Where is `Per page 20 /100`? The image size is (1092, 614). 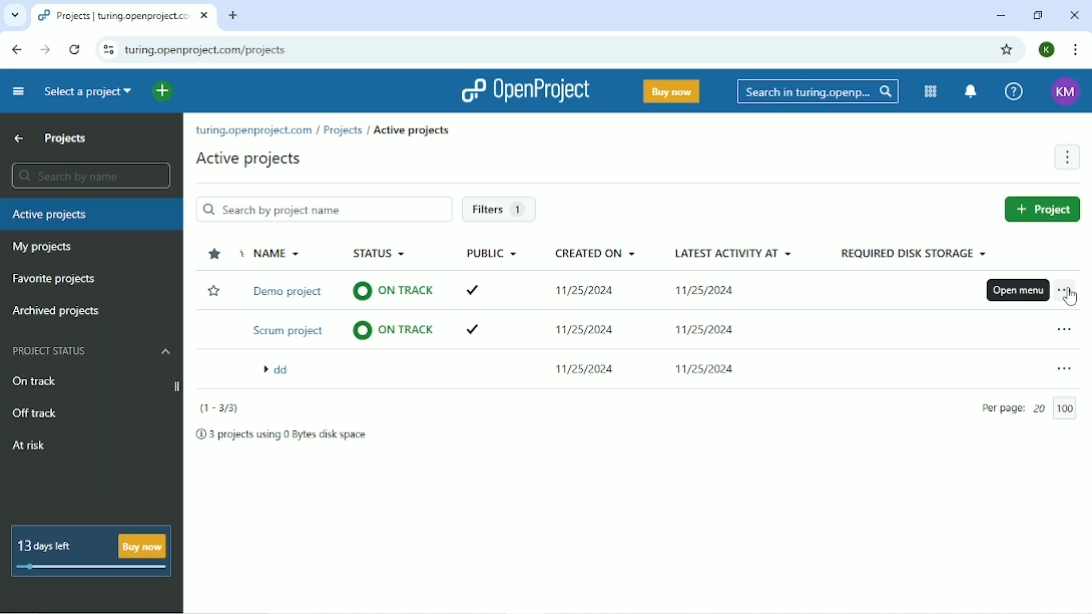
Per page 20 /100 is located at coordinates (1033, 408).